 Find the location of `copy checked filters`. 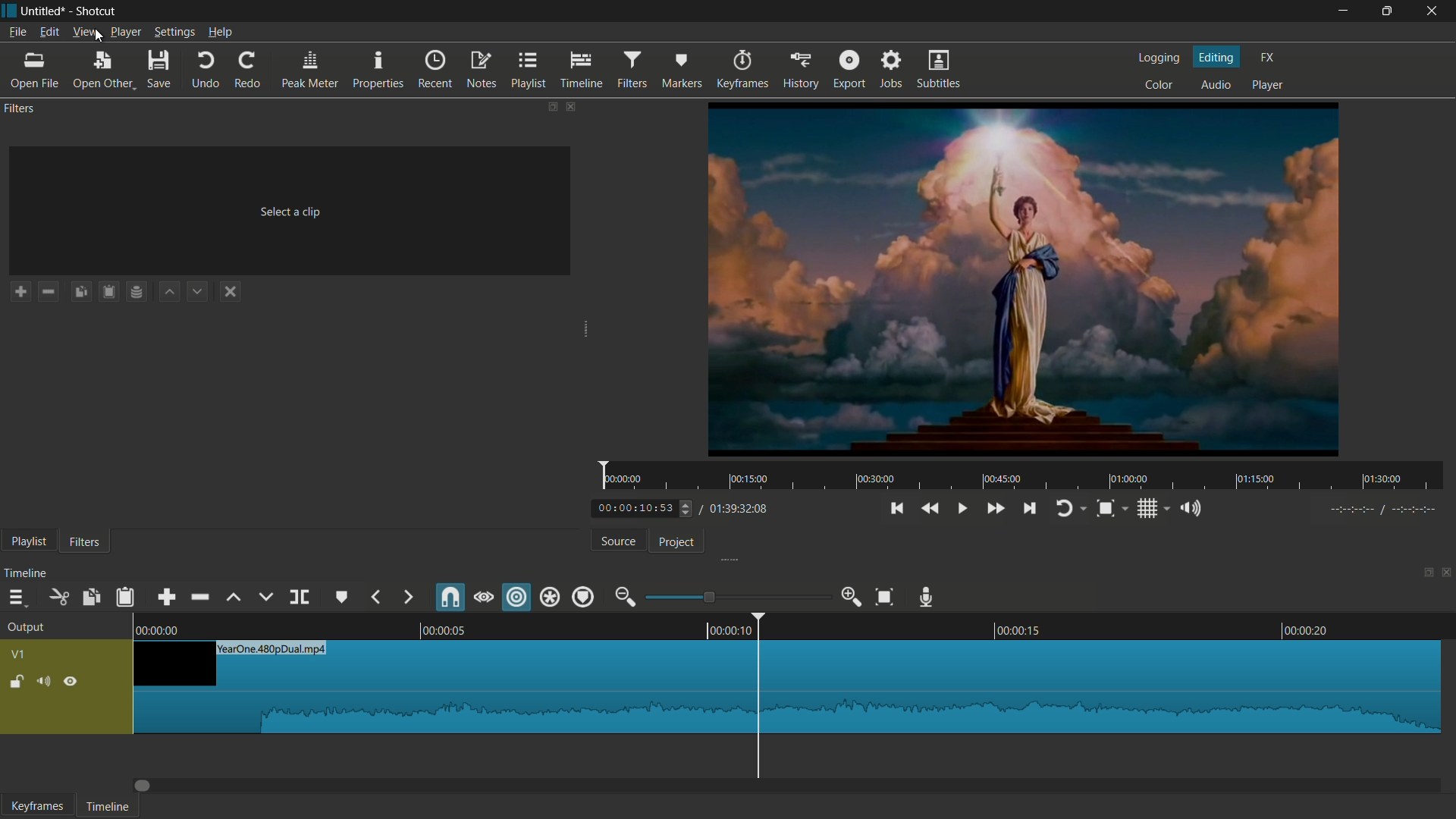

copy checked filters is located at coordinates (82, 292).